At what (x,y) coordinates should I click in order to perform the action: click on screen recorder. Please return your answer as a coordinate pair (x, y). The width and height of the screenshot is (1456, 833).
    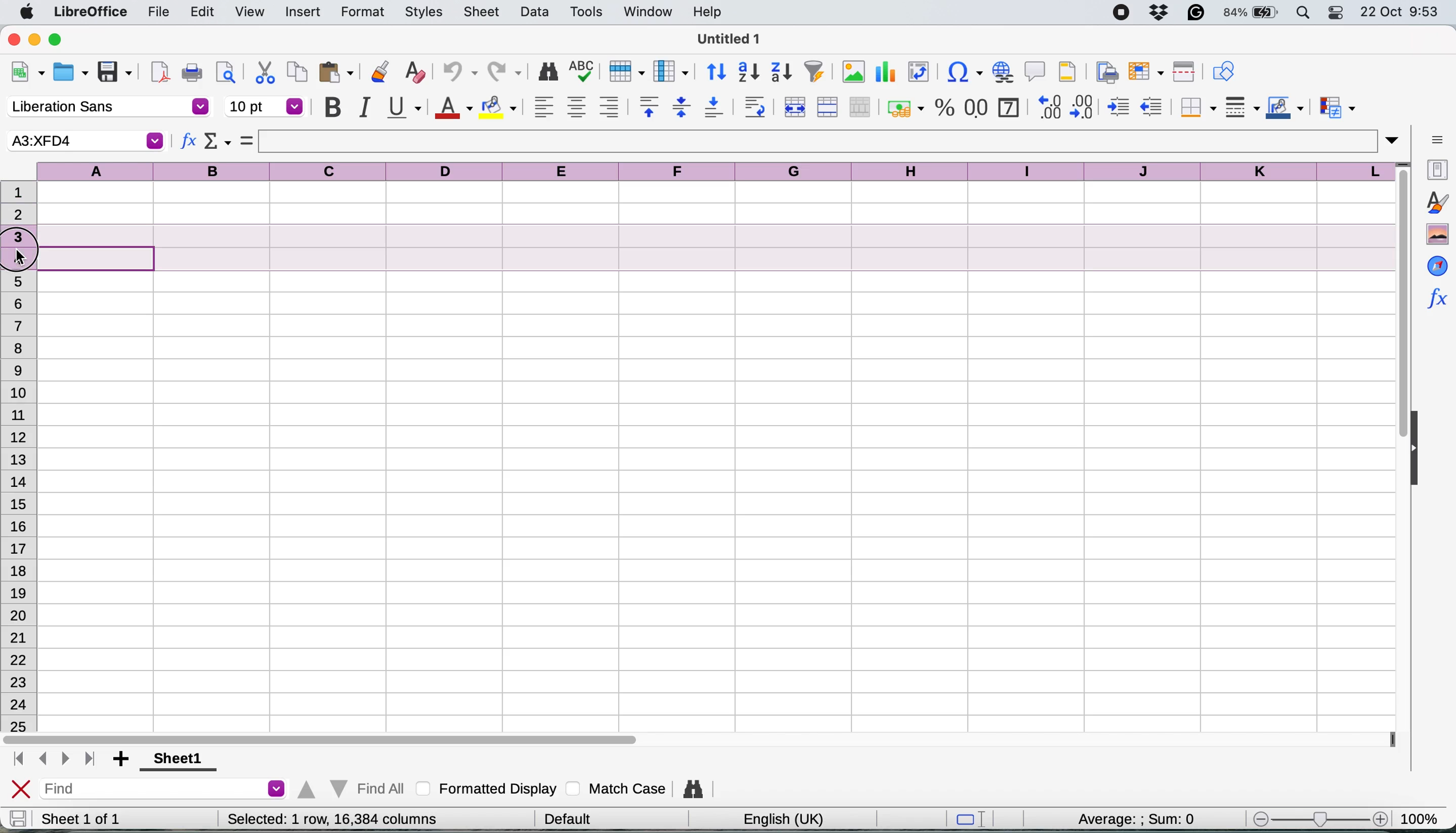
    Looking at the image, I should click on (1126, 14).